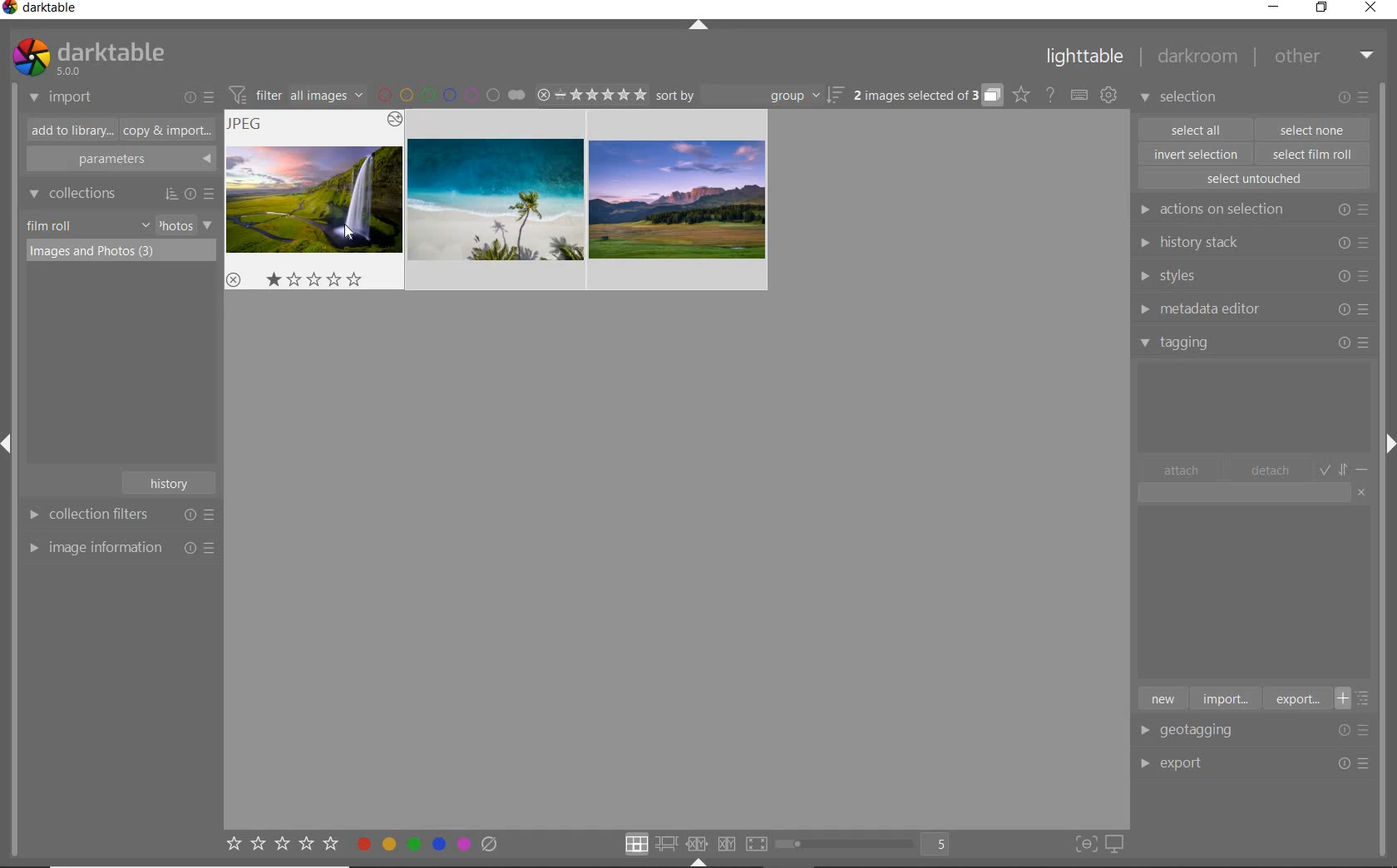 The image size is (1397, 868). Describe the element at coordinates (1387, 440) in the screenshot. I see `Expand` at that location.